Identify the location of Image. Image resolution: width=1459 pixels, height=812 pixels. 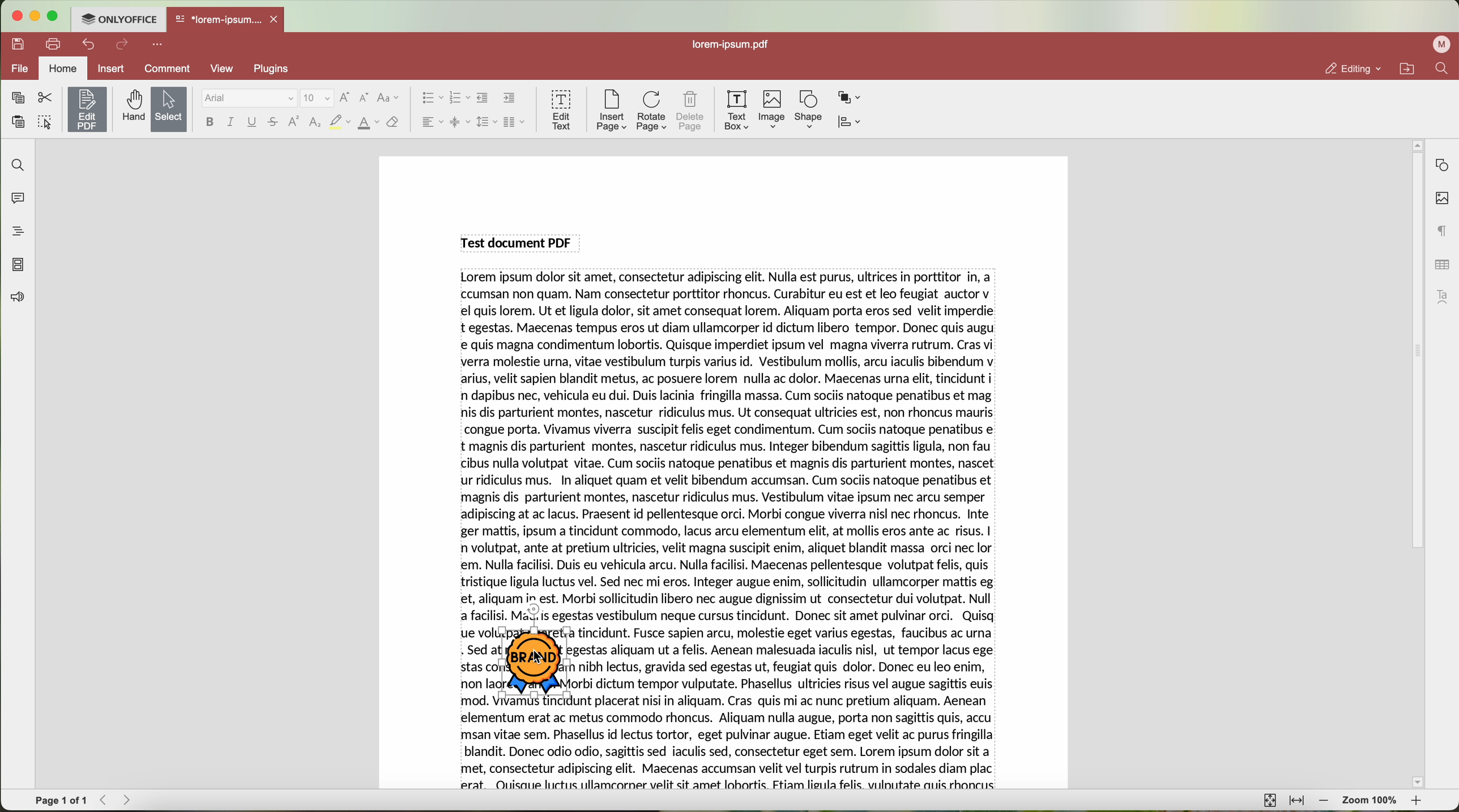
(536, 665).